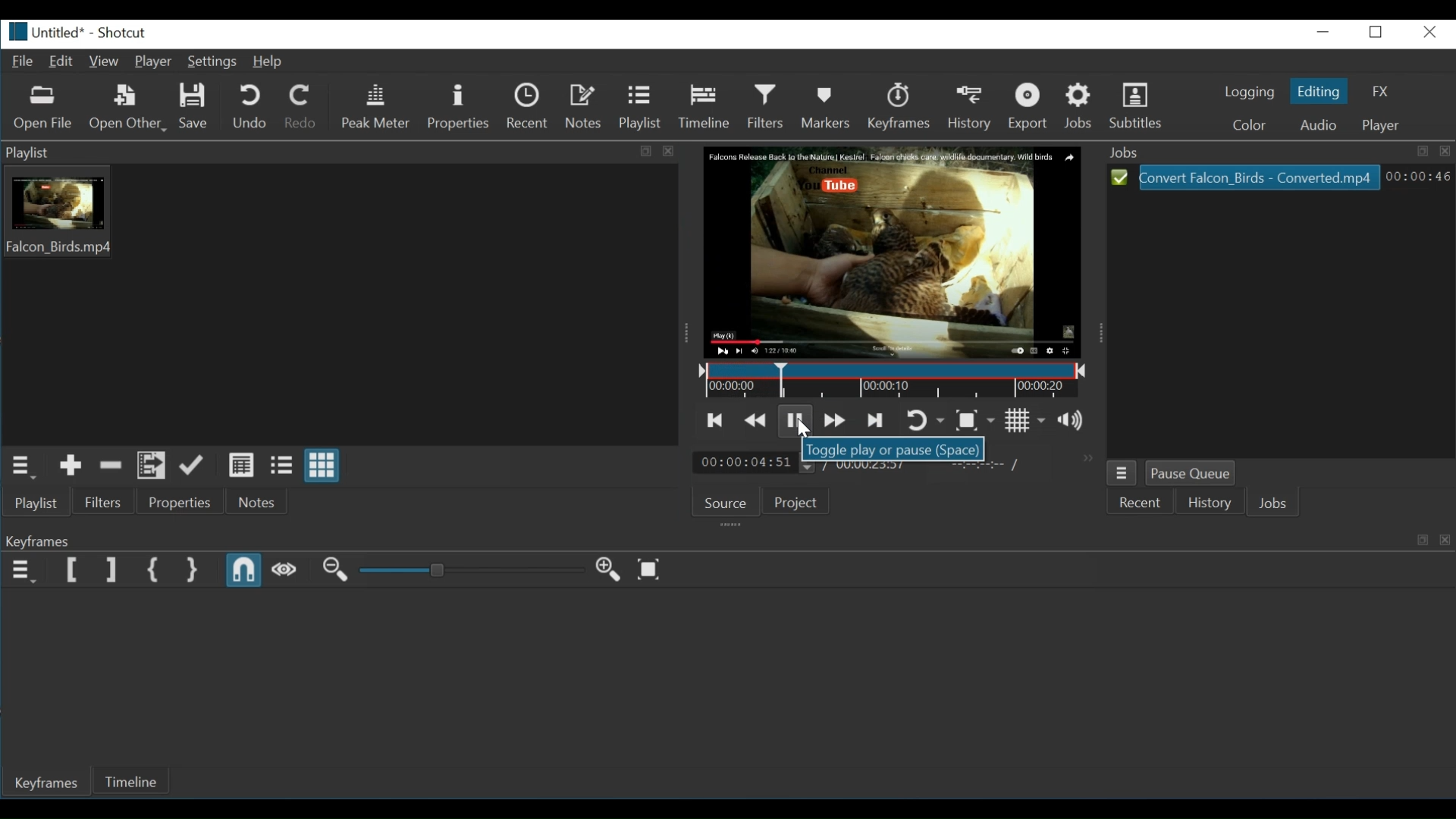  I want to click on Toggle play or pause(Space), so click(900, 455).